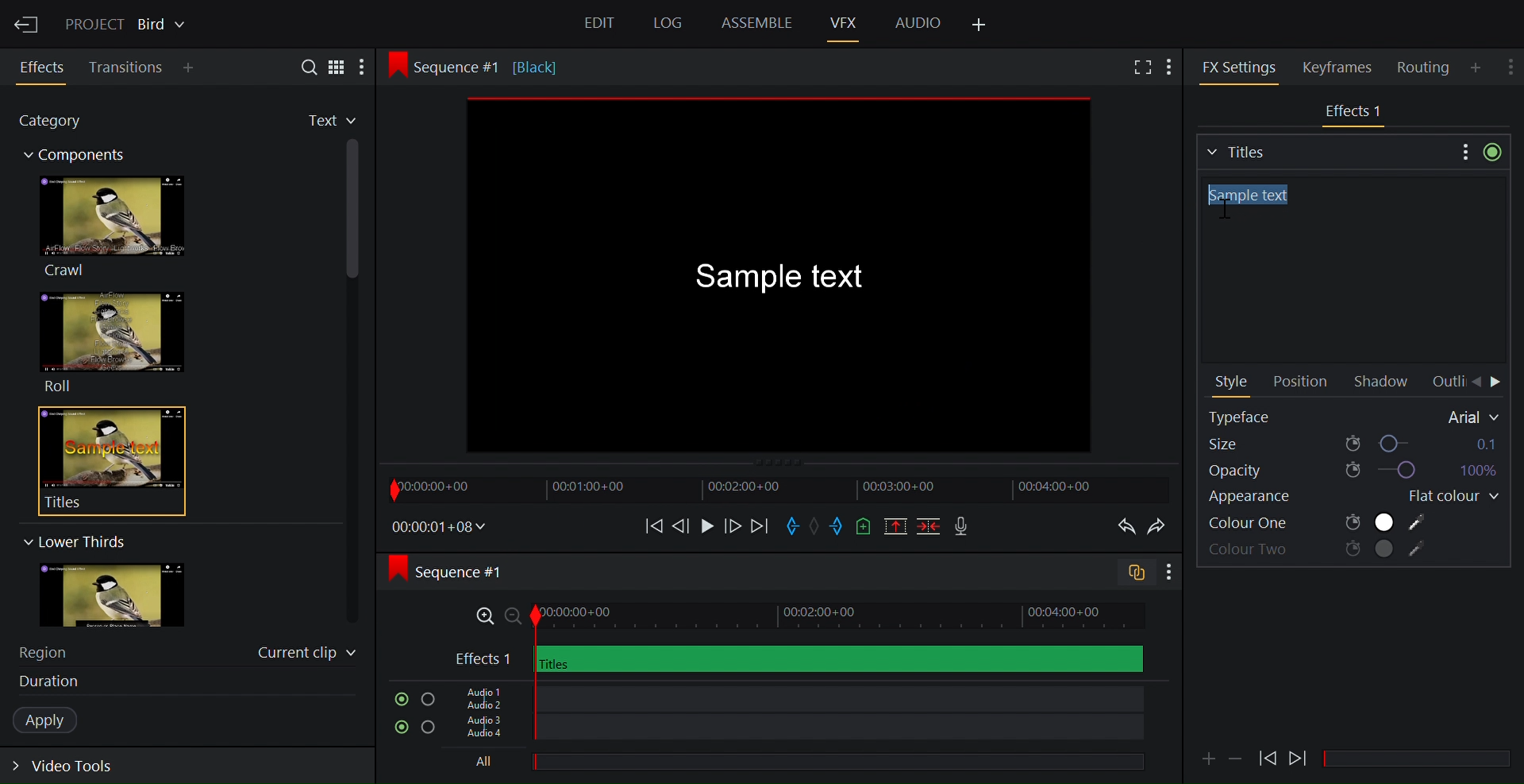 This screenshot has height=784, width=1524. I want to click on Audio Track 3, Audio Track 4, so click(796, 731).